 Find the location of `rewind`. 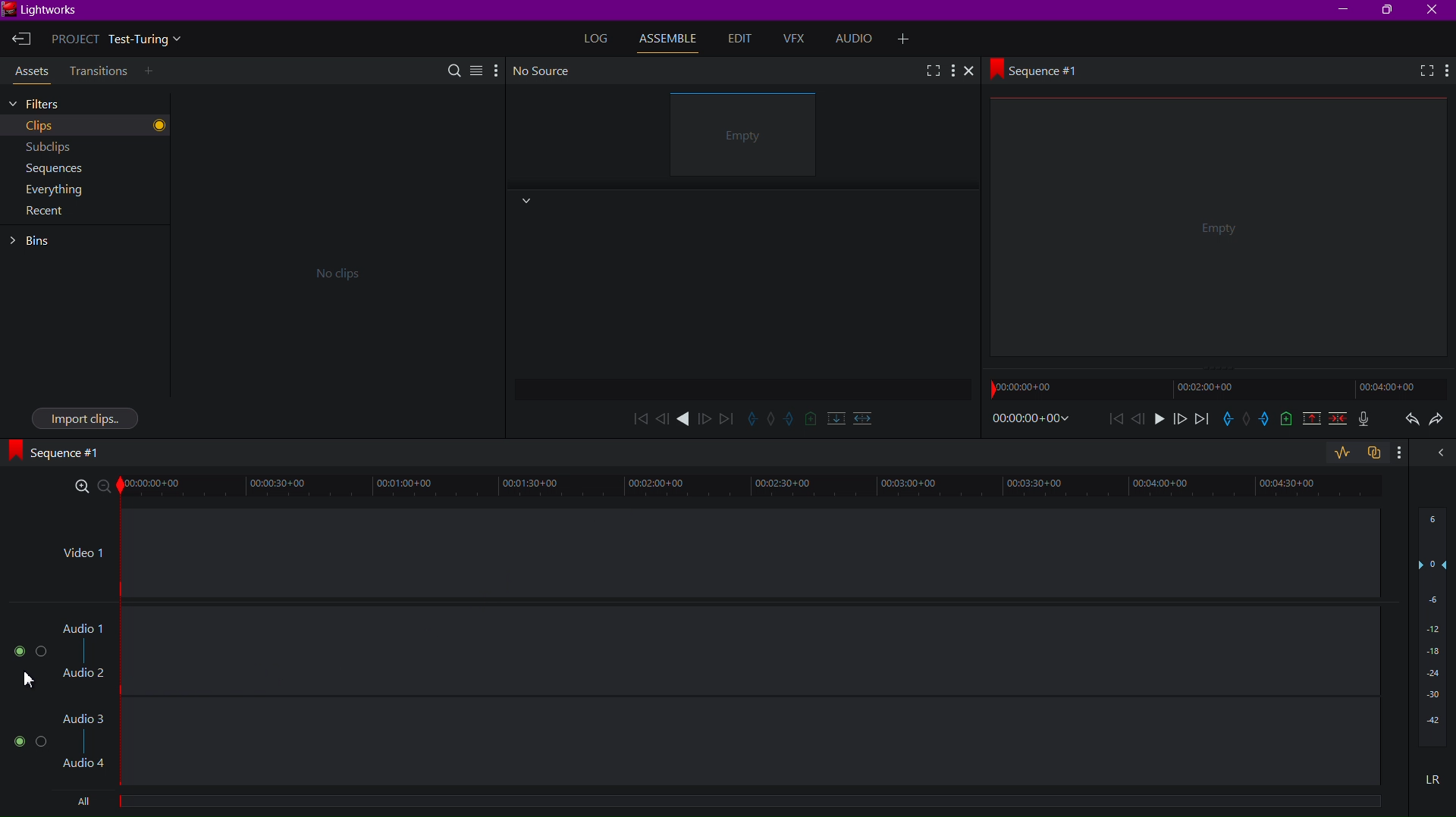

rewind is located at coordinates (662, 418).